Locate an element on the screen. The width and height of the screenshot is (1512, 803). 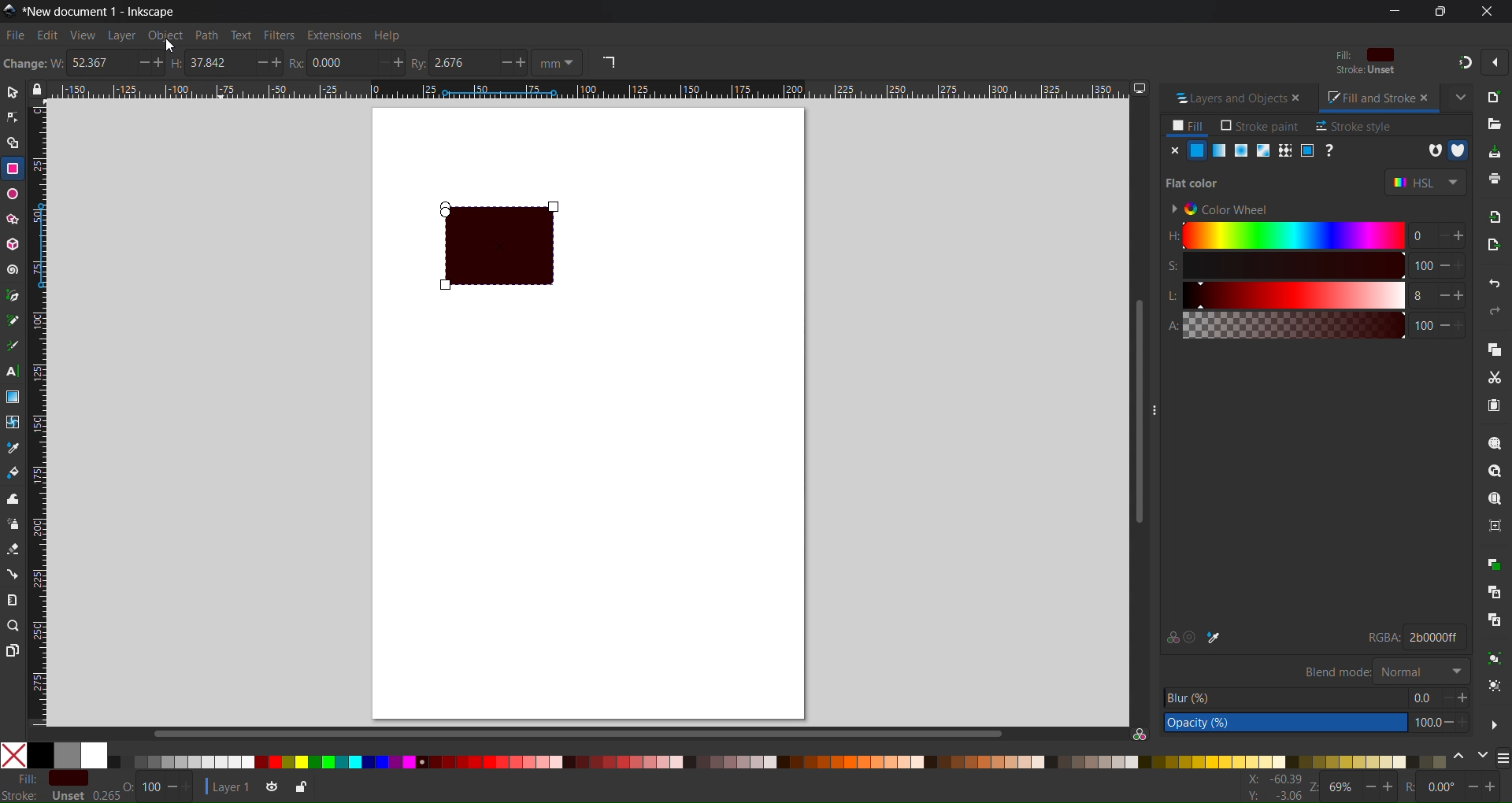
 8 is located at coordinates (1418, 295).